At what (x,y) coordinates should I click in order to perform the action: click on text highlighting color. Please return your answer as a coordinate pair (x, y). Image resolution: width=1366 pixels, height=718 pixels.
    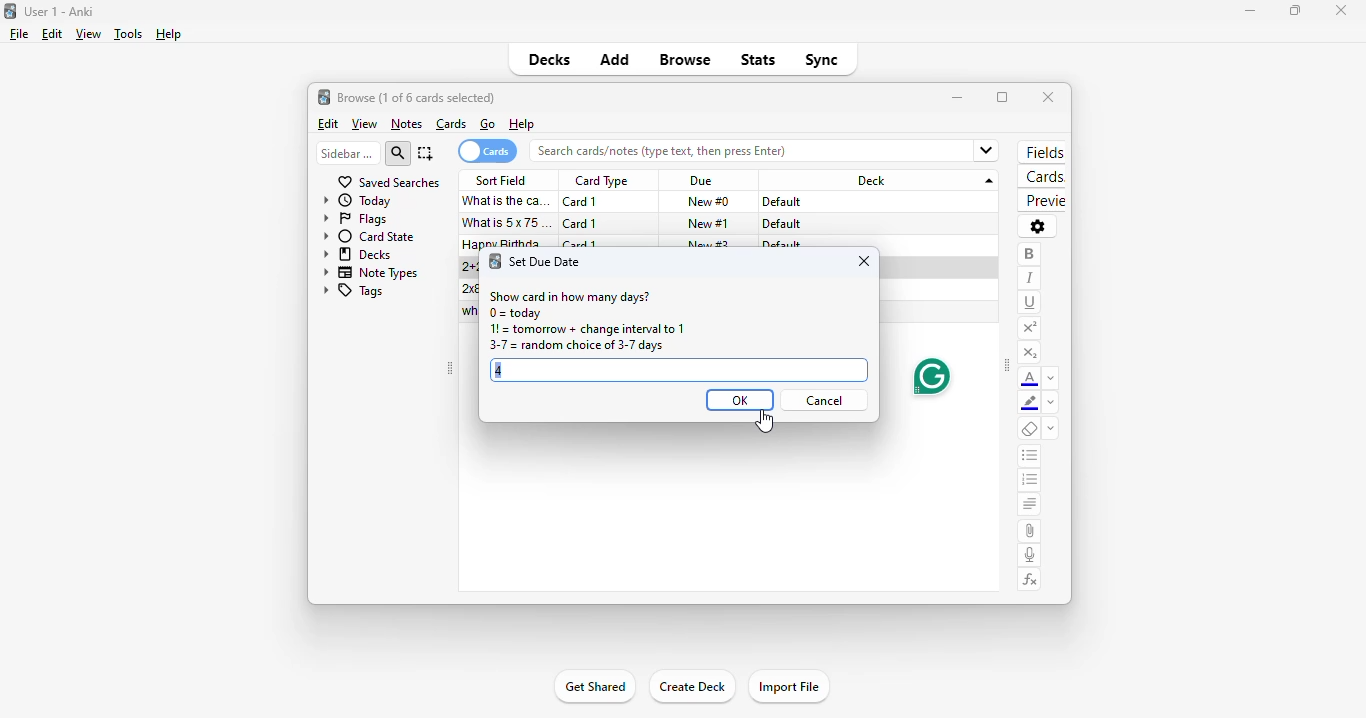
    Looking at the image, I should click on (1030, 404).